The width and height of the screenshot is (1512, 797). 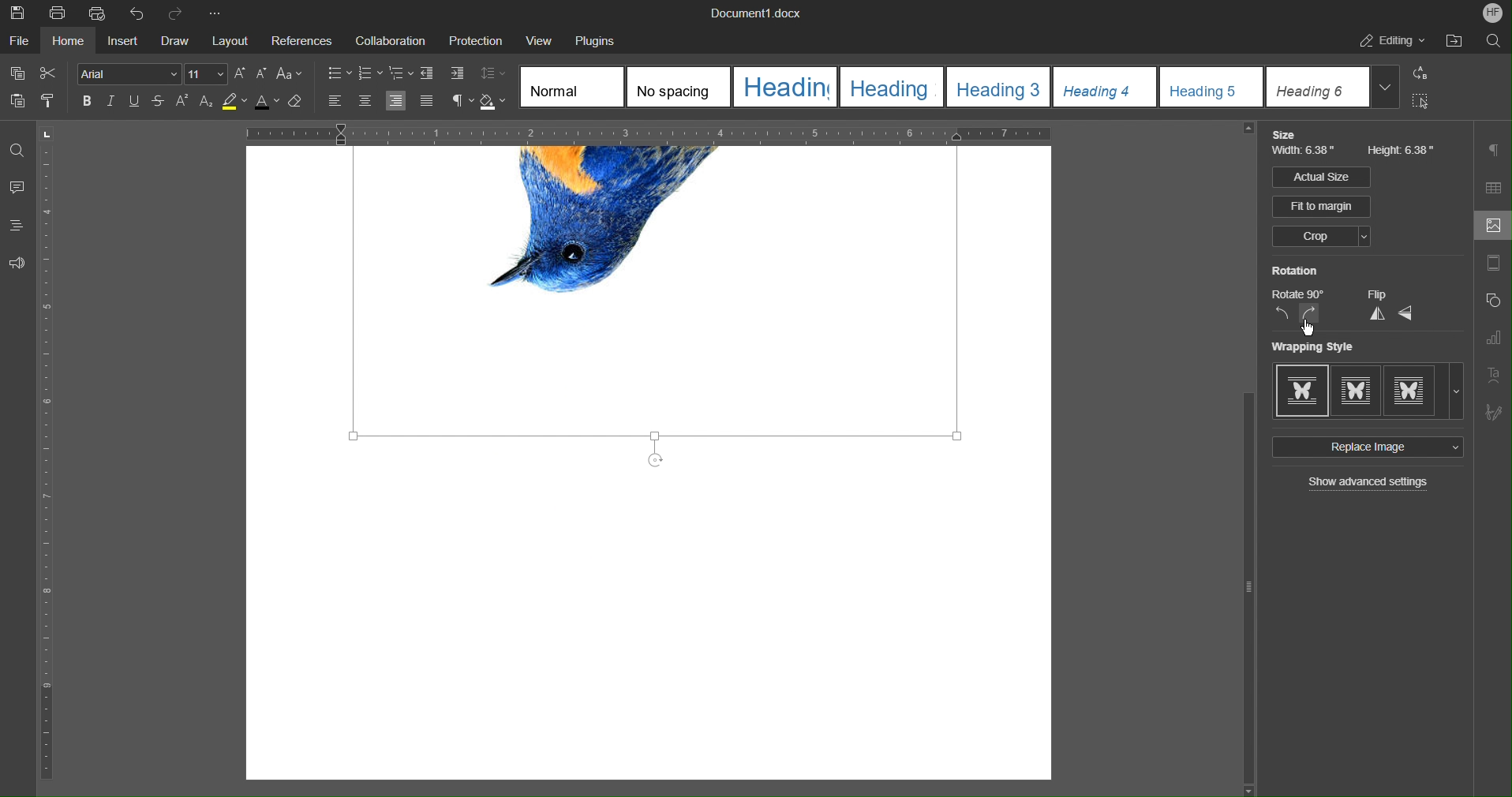 I want to click on Text Art, so click(x=1493, y=374).